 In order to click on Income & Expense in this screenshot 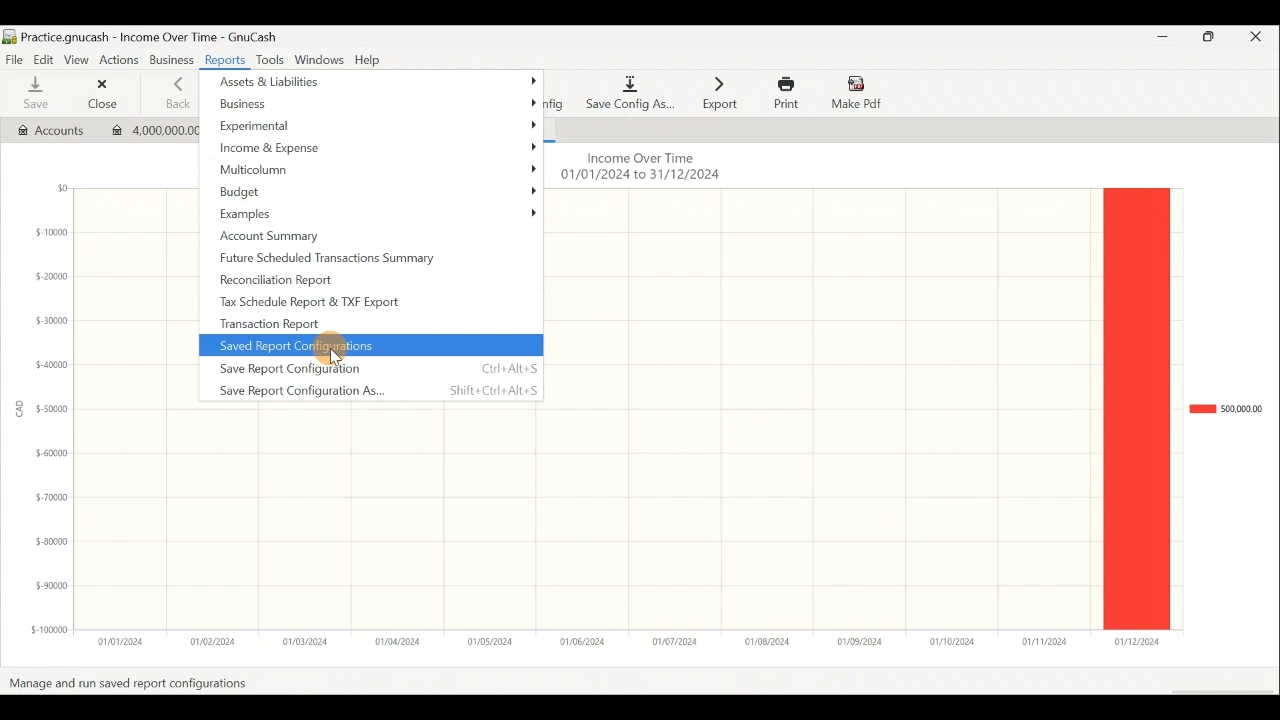, I will do `click(372, 149)`.